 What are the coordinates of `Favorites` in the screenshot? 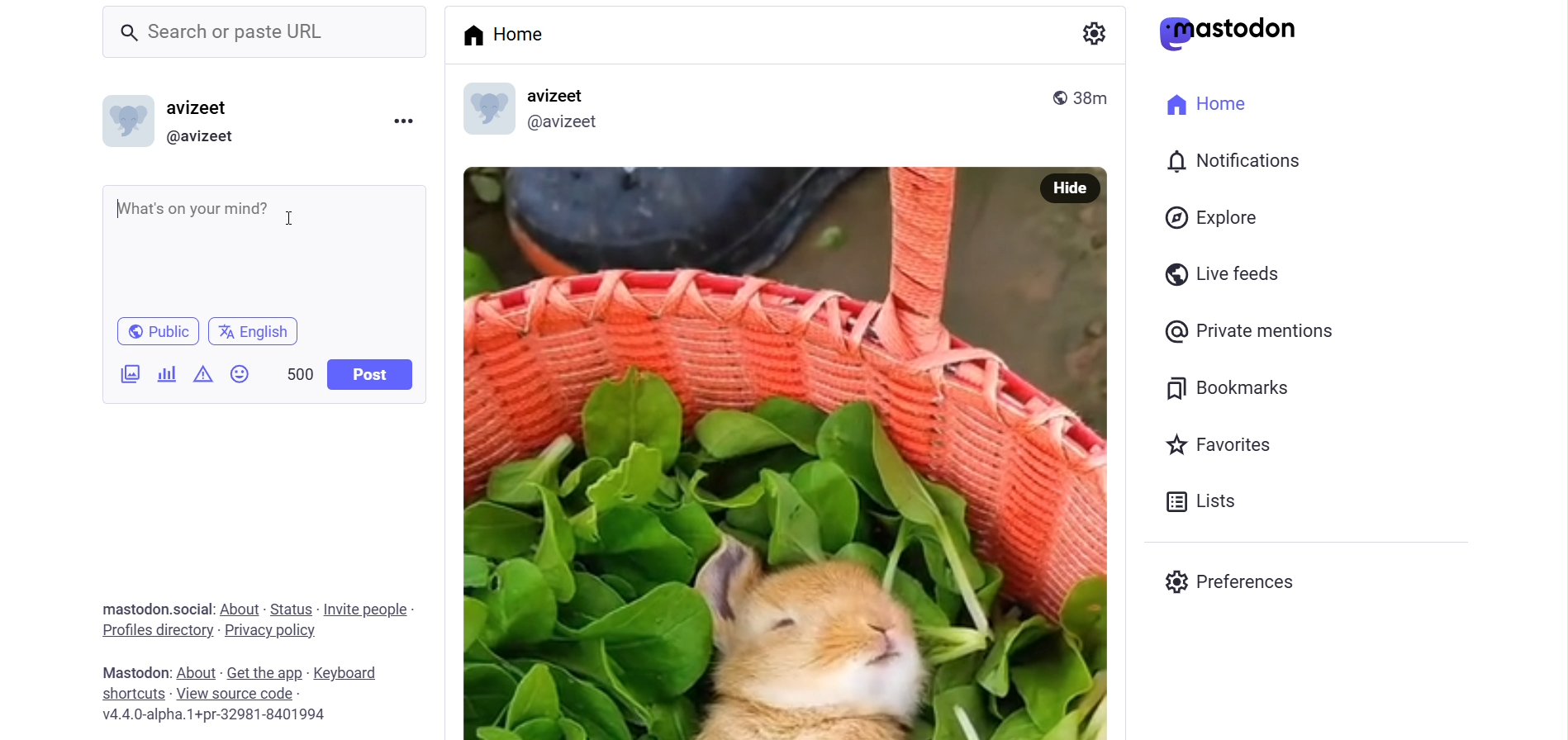 It's located at (1221, 443).